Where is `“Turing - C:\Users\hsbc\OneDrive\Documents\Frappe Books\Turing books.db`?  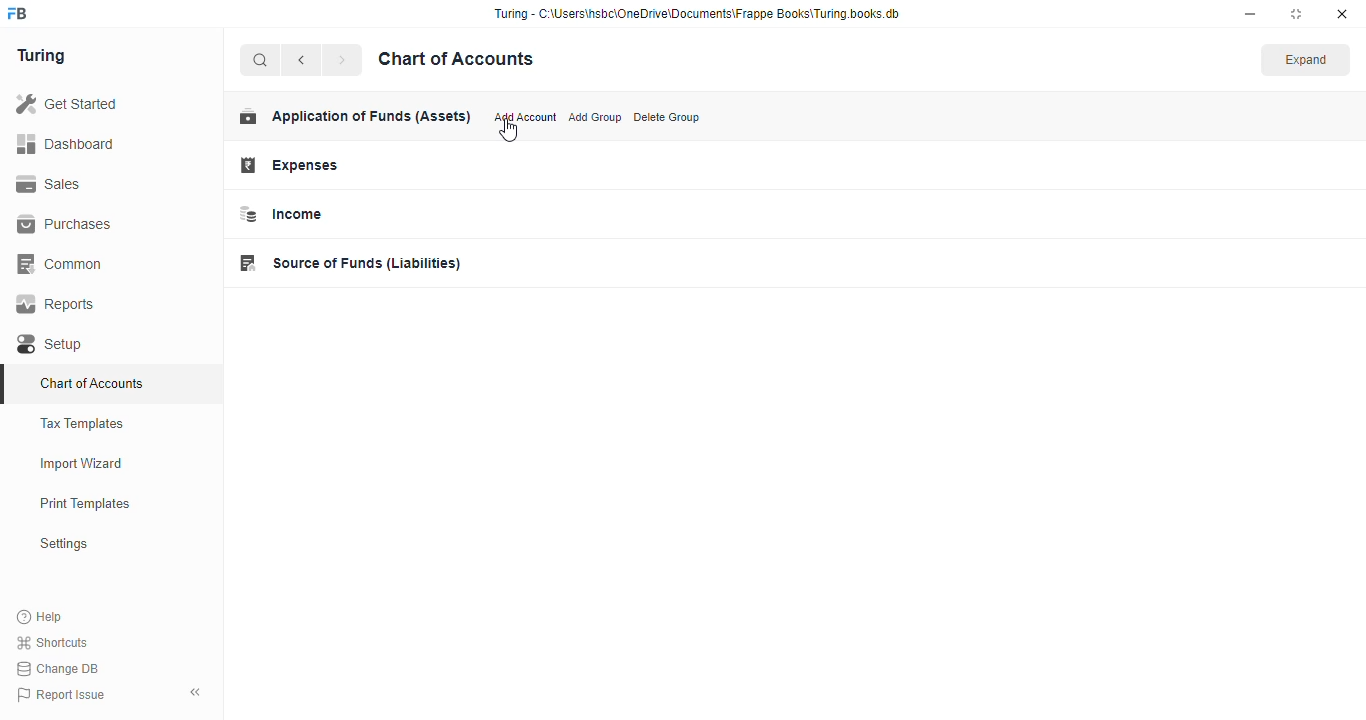
“Turing - C:\Users\hsbc\OneDrive\Documents\Frappe Books\Turing books.db is located at coordinates (696, 13).